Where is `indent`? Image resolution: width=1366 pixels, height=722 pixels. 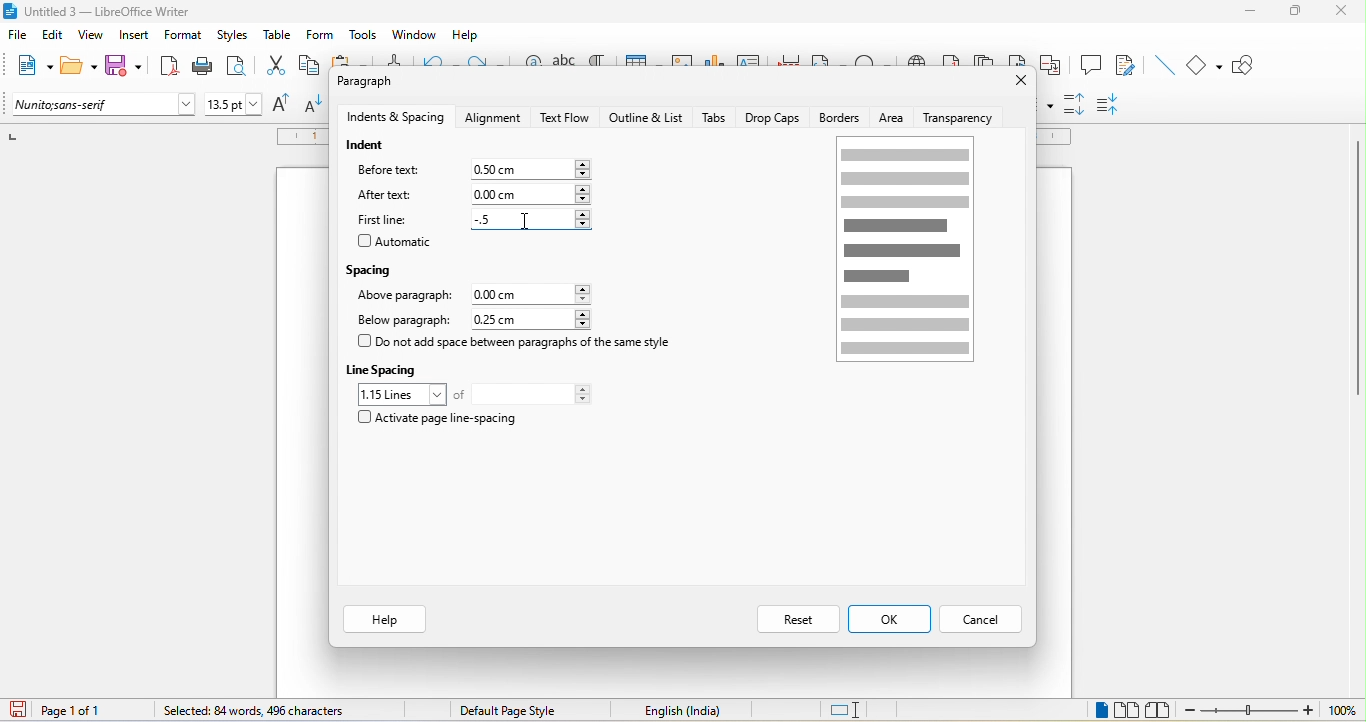 indent is located at coordinates (371, 147).